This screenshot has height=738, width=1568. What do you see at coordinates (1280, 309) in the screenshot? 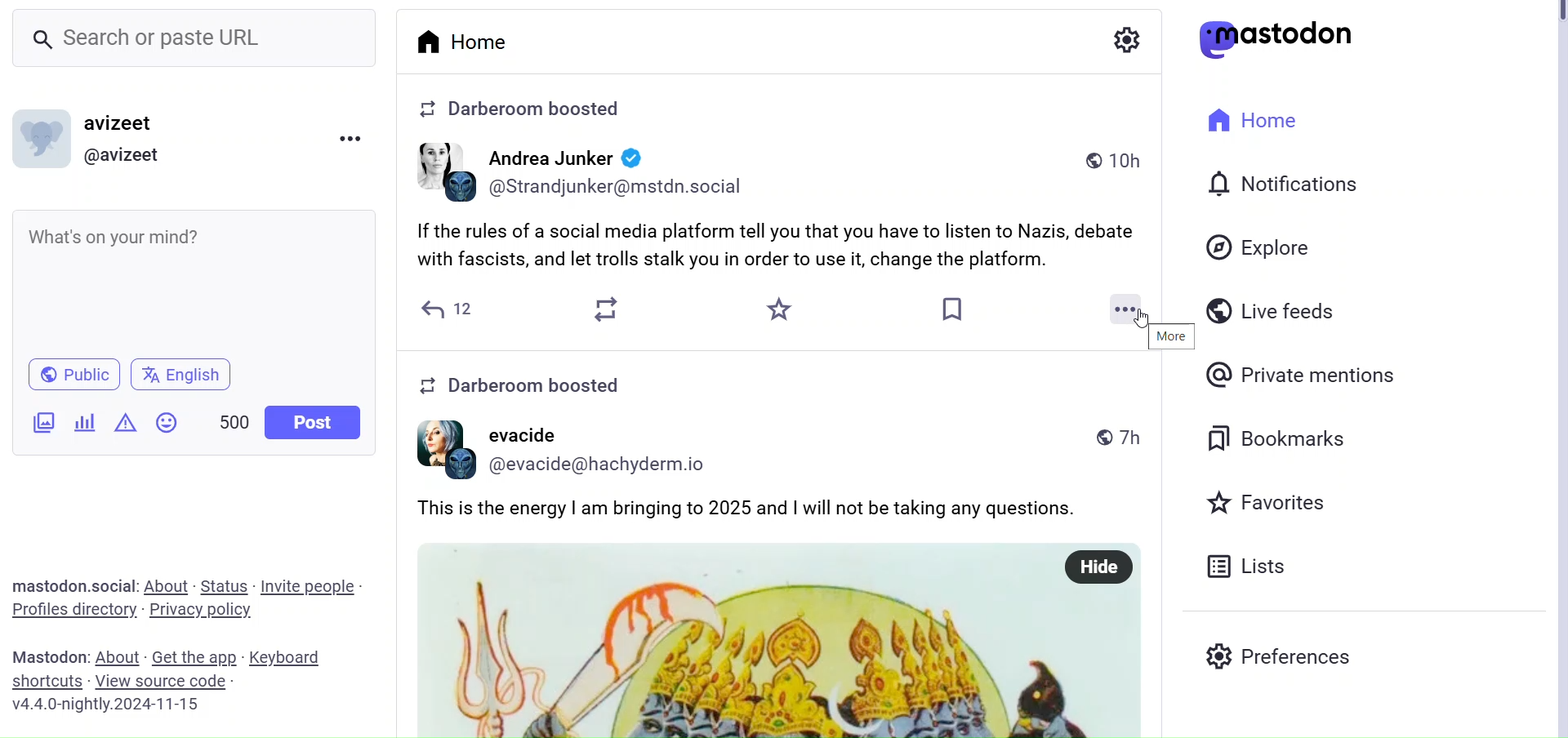
I see `Live Feeds` at bounding box center [1280, 309].